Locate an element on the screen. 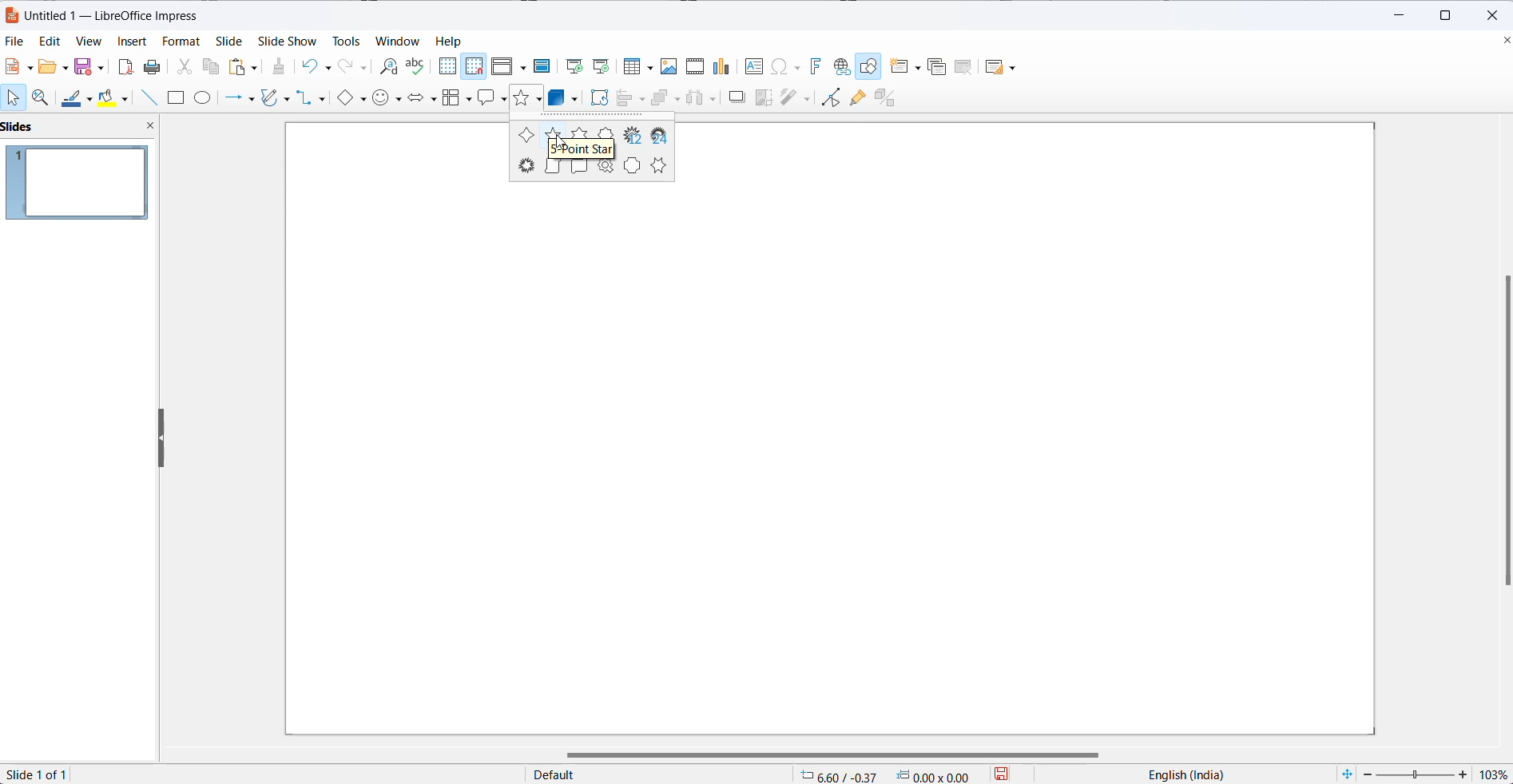  symbol shapes is located at coordinates (387, 98).